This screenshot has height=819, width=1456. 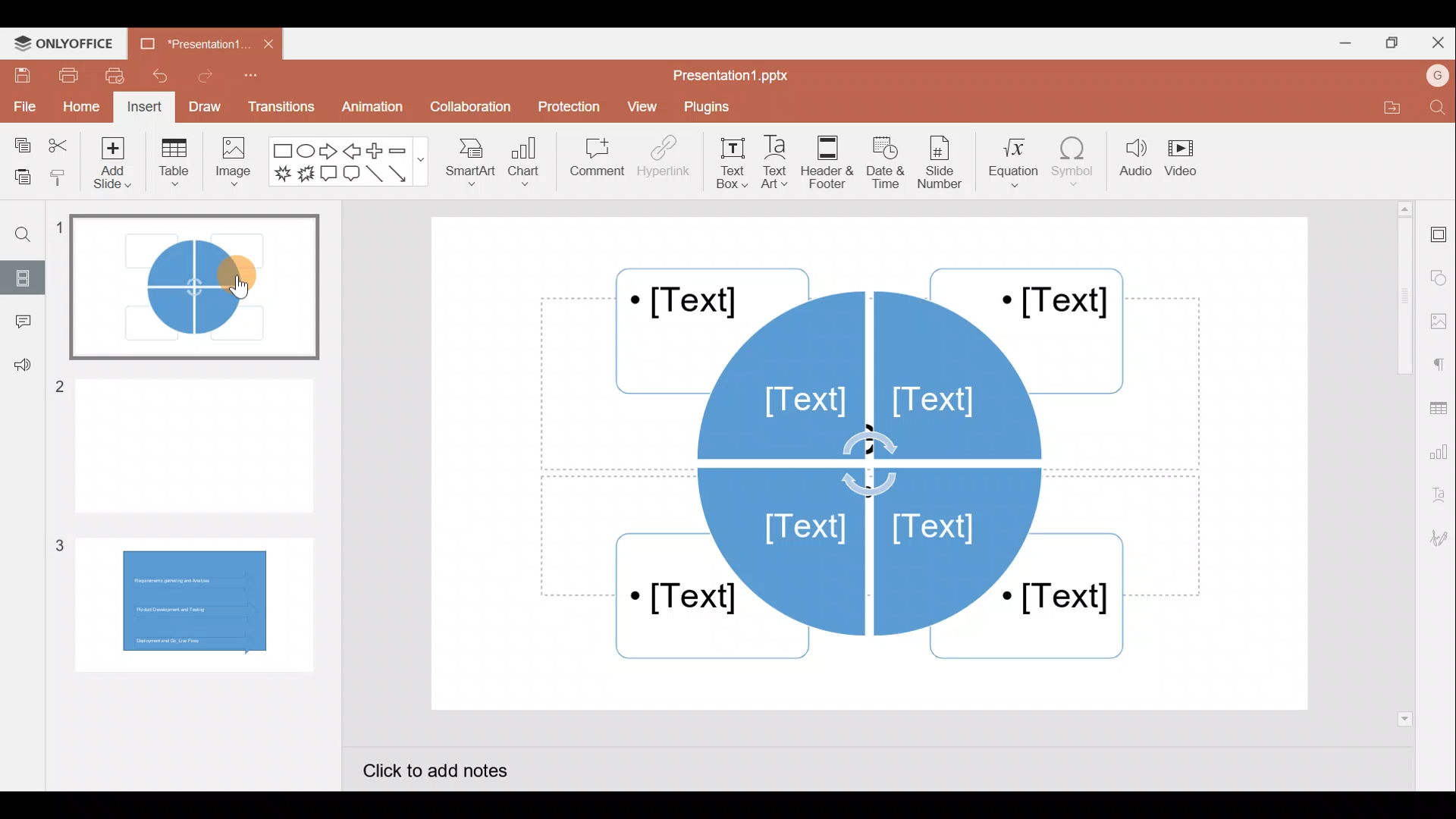 I want to click on Copy, so click(x=22, y=141).